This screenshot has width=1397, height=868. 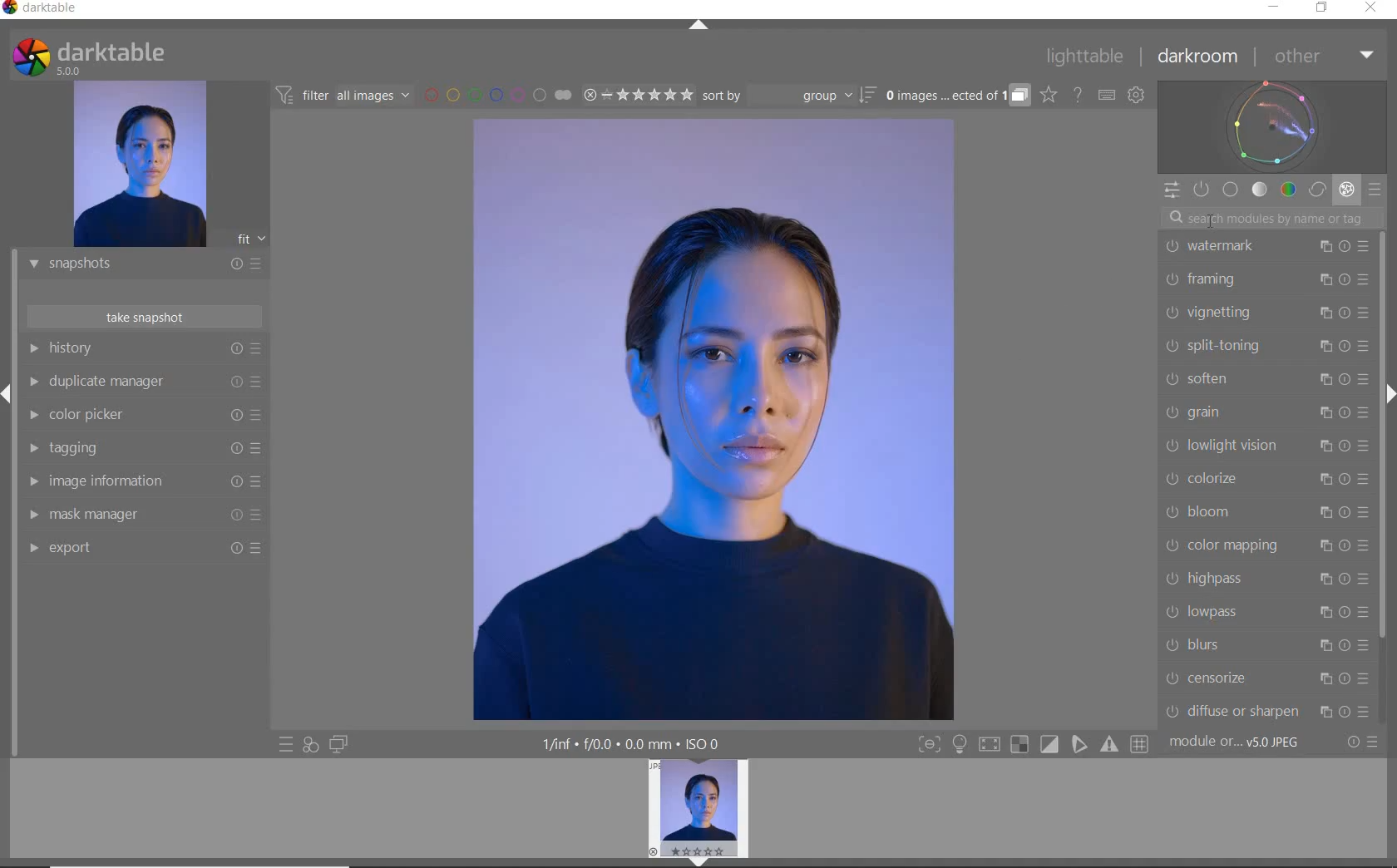 What do you see at coordinates (1325, 8) in the screenshot?
I see `RESTORE` at bounding box center [1325, 8].